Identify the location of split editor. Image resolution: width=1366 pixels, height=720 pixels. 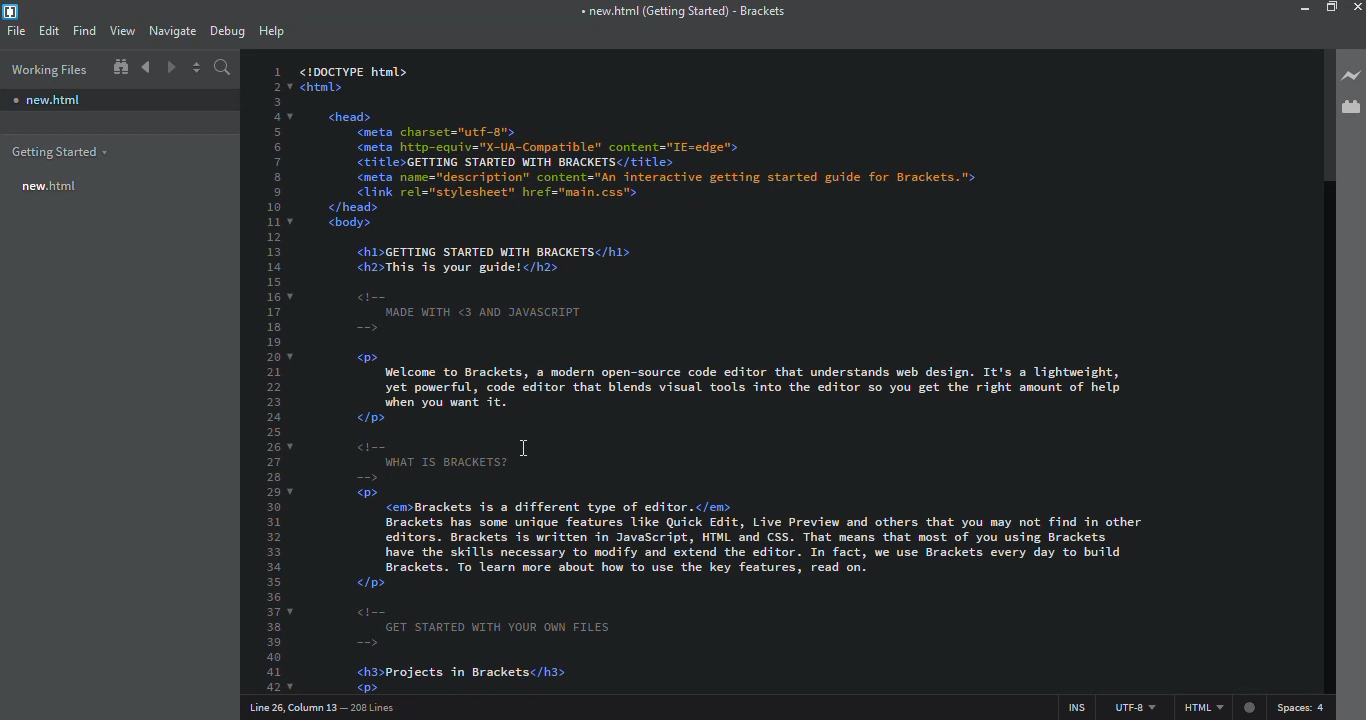
(198, 70).